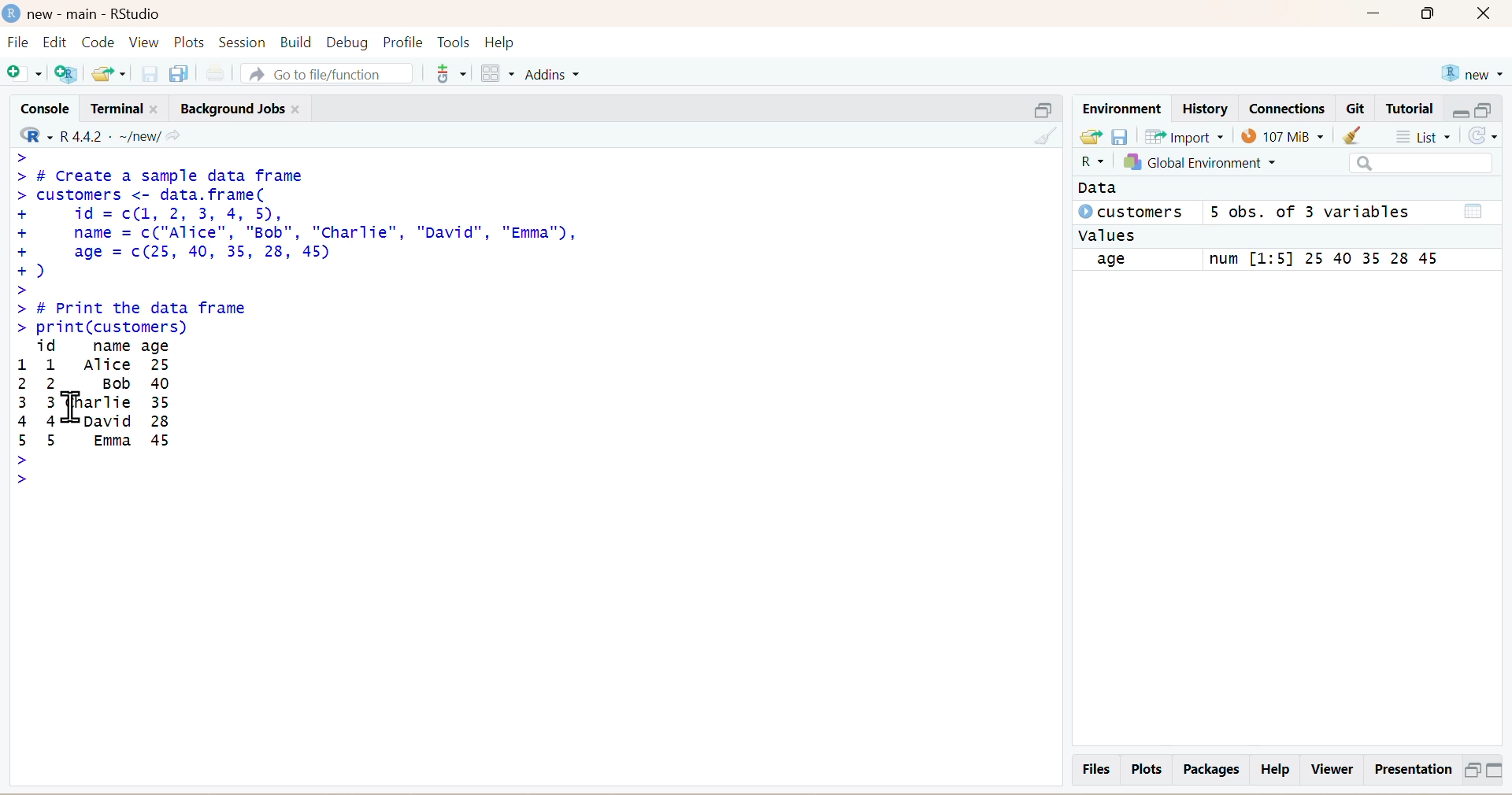 This screenshot has width=1512, height=795. What do you see at coordinates (85, 11) in the screenshot?
I see `new - main - RStudio` at bounding box center [85, 11].